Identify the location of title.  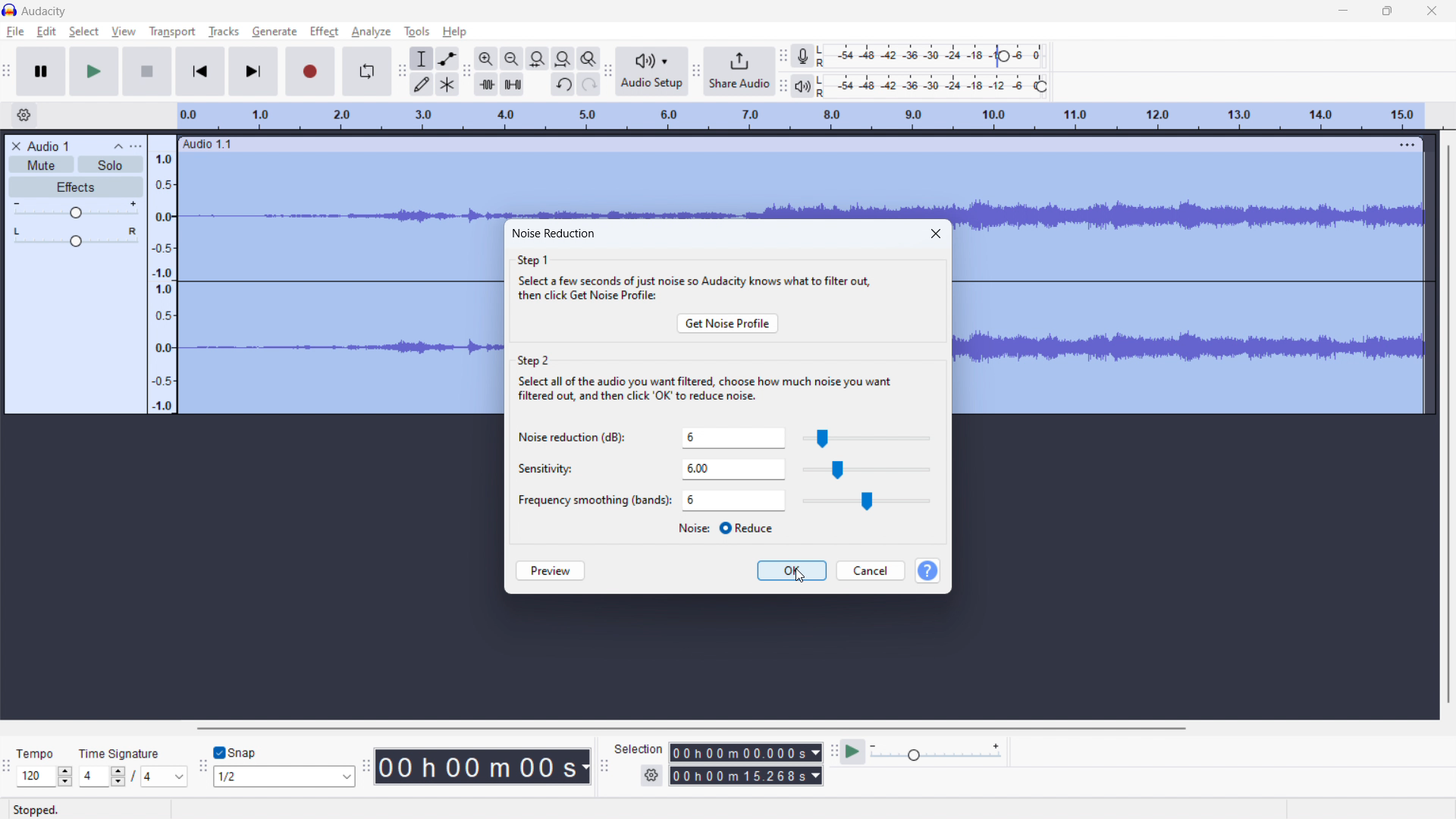
(45, 11).